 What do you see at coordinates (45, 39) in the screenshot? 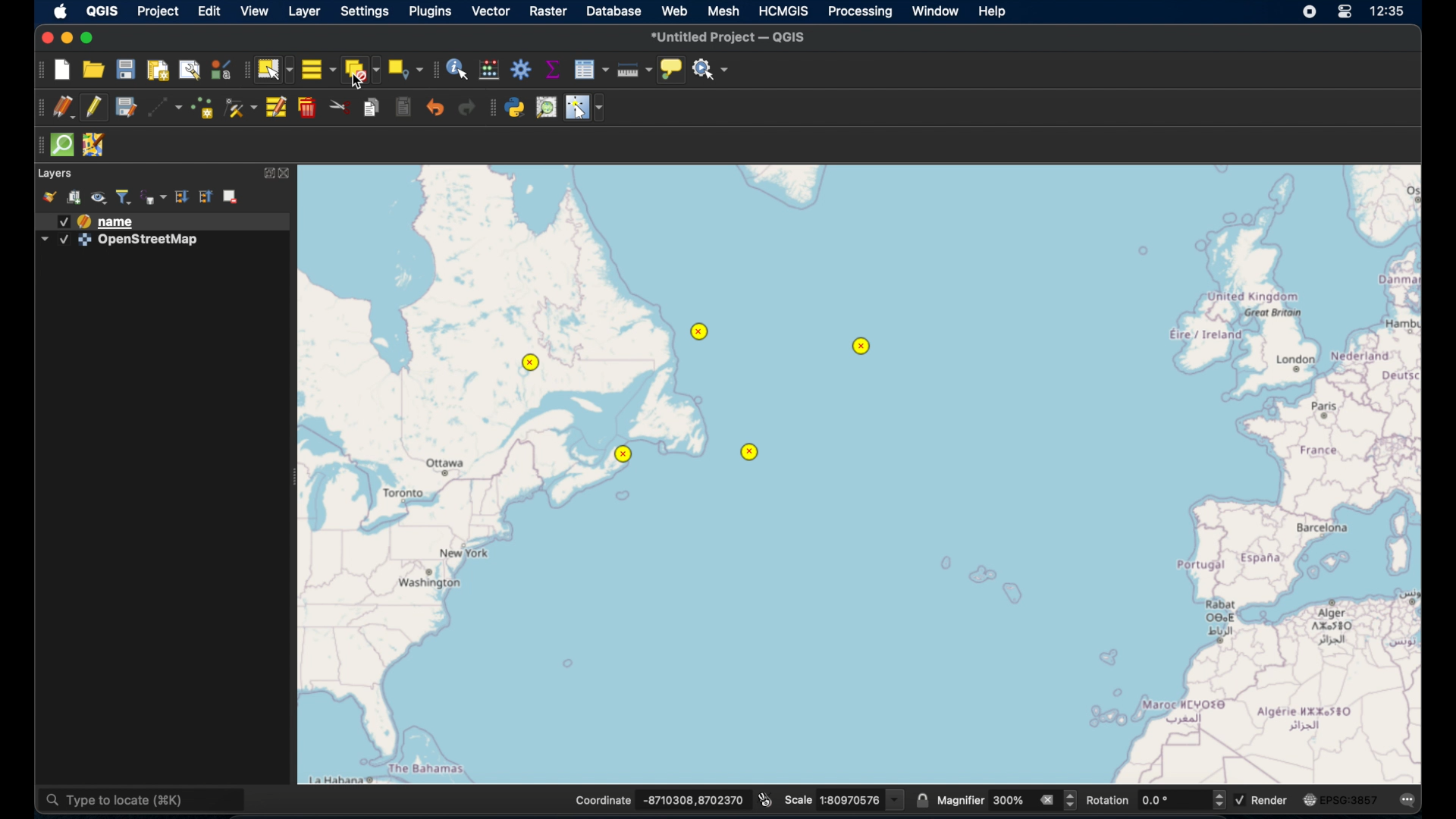
I see `close` at bounding box center [45, 39].